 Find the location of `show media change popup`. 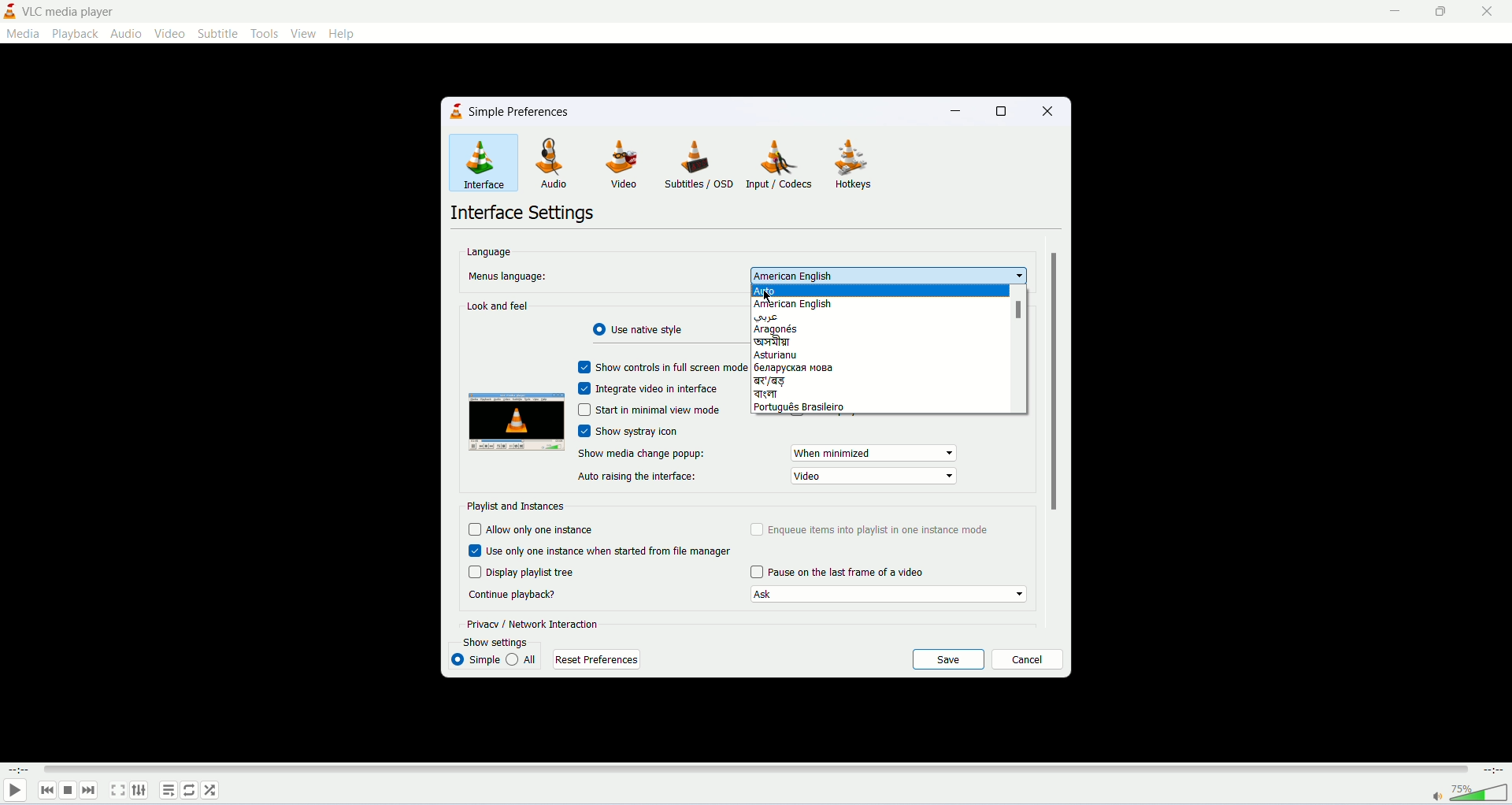

show media change popup is located at coordinates (642, 454).